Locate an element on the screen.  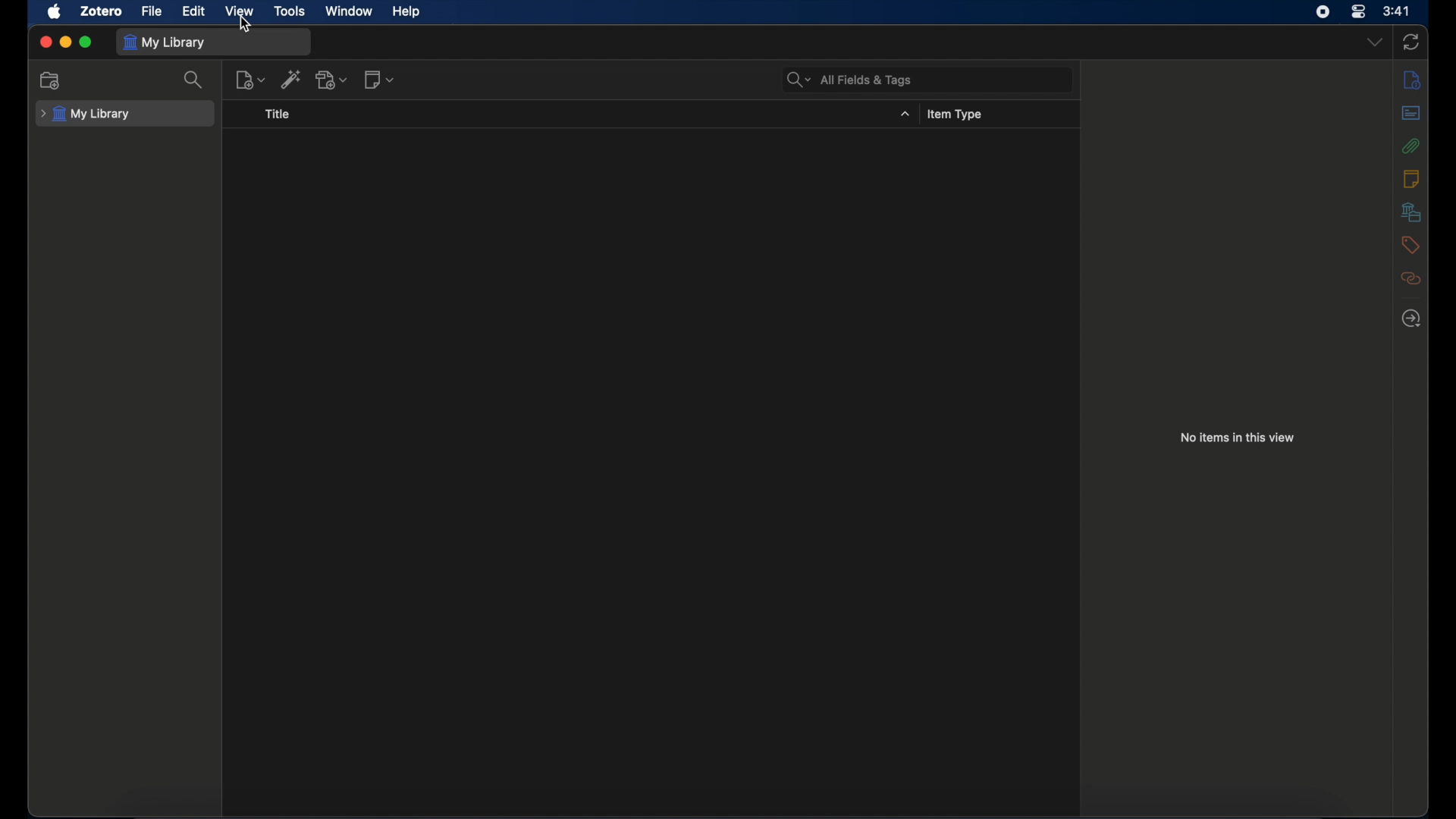
apple icon is located at coordinates (55, 12).